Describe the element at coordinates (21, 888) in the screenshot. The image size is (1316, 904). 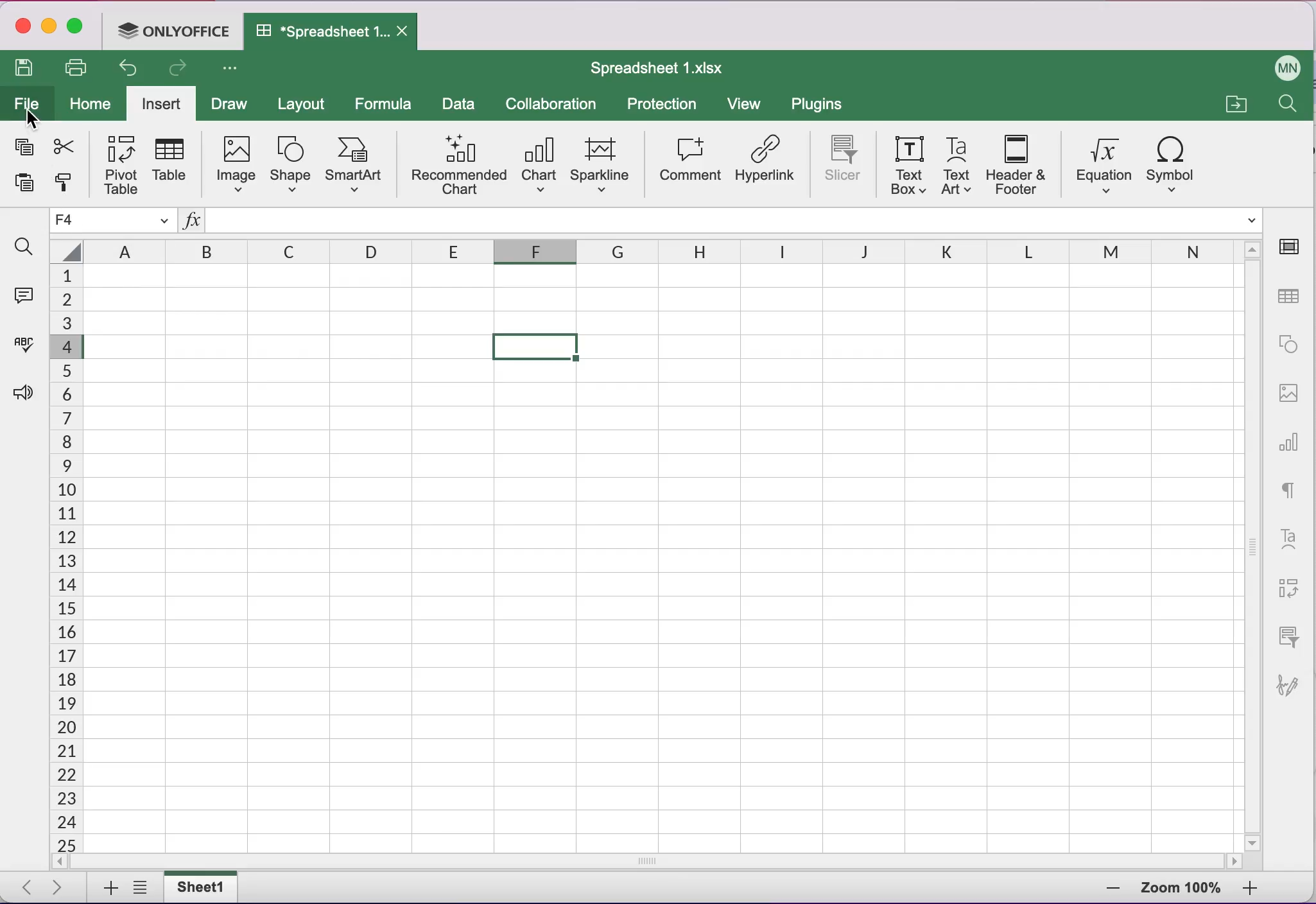
I see `previous sheet` at that location.